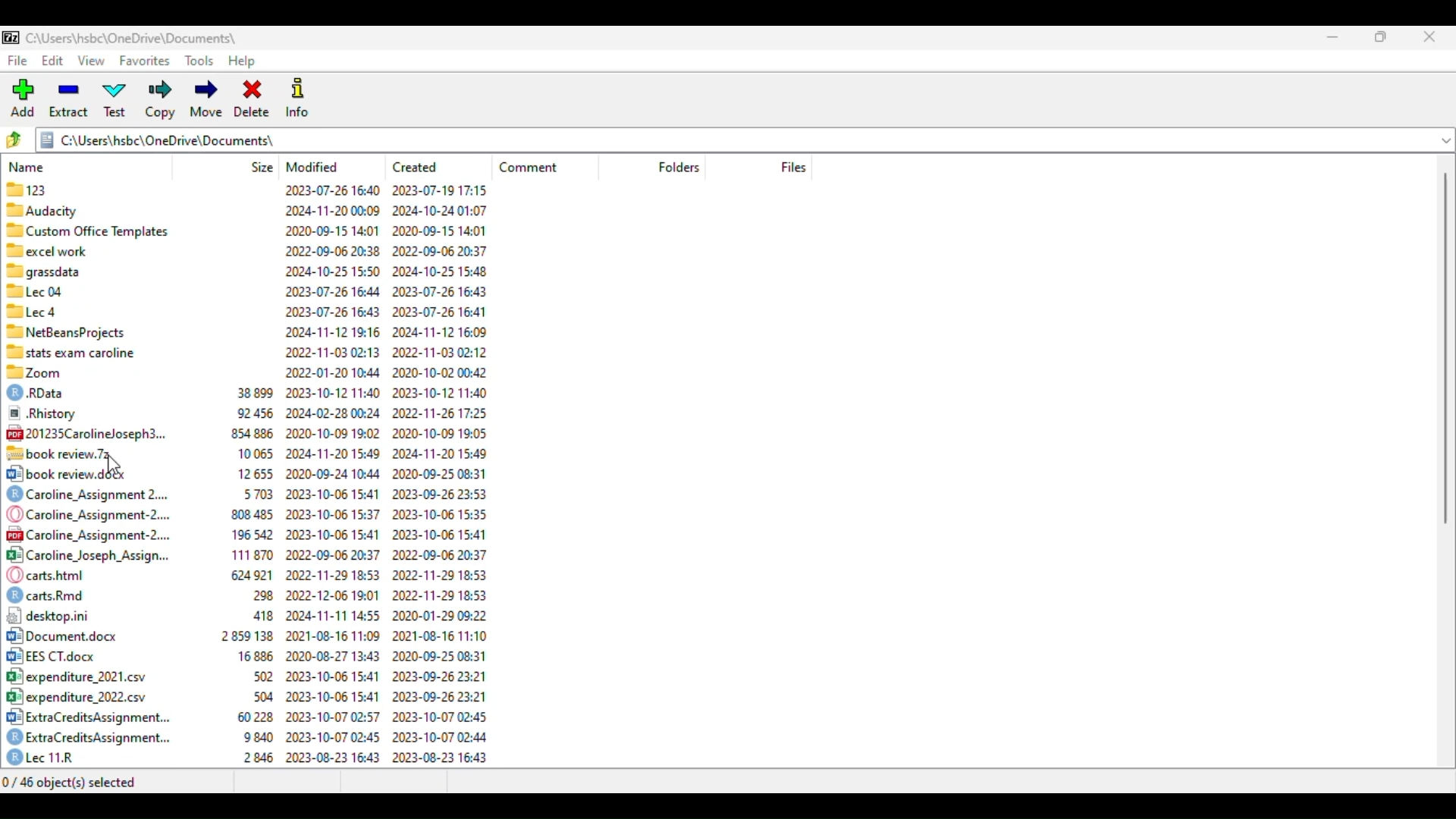 This screenshot has height=819, width=1456. What do you see at coordinates (12, 37) in the screenshot?
I see `logo` at bounding box center [12, 37].